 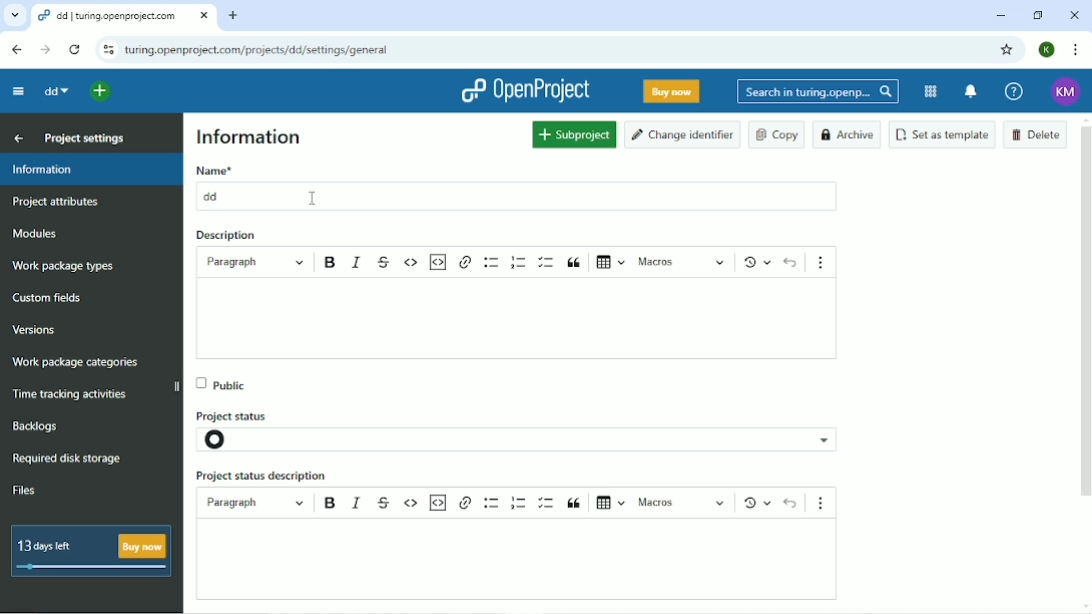 What do you see at coordinates (528, 560) in the screenshot?
I see `text boc` at bounding box center [528, 560].